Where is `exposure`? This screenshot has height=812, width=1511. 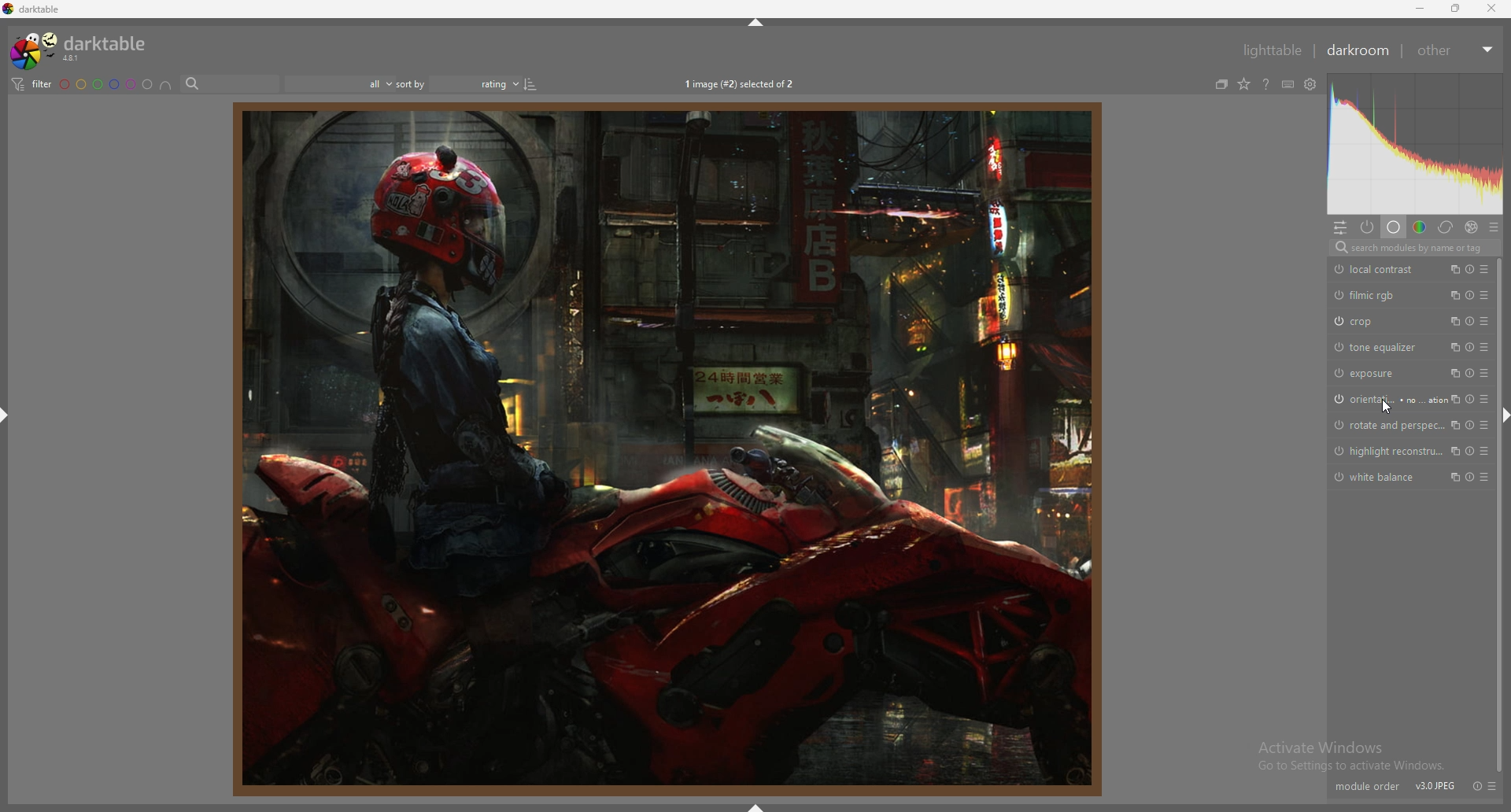
exposure is located at coordinates (1370, 373).